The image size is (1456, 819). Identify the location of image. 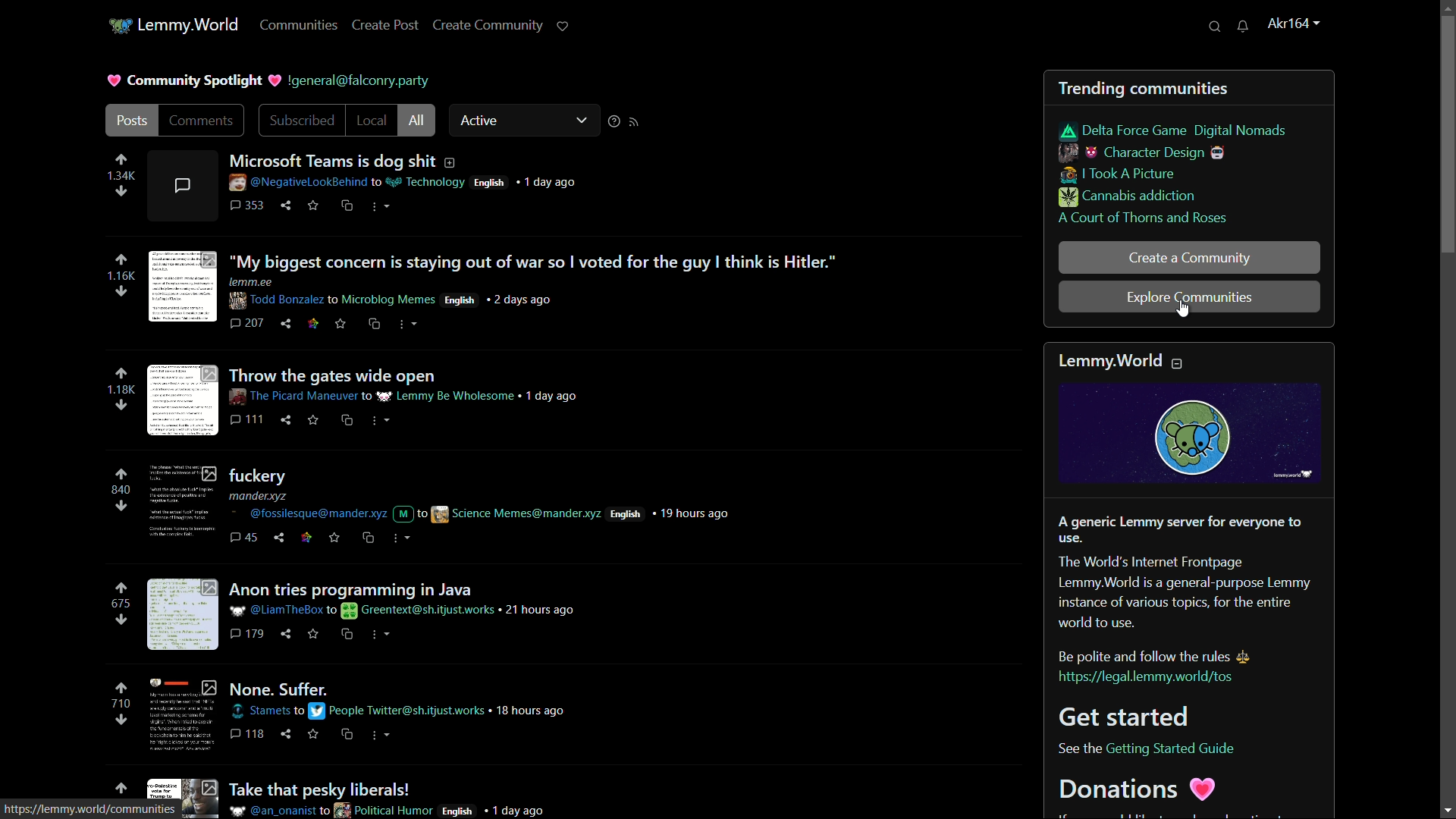
(184, 504).